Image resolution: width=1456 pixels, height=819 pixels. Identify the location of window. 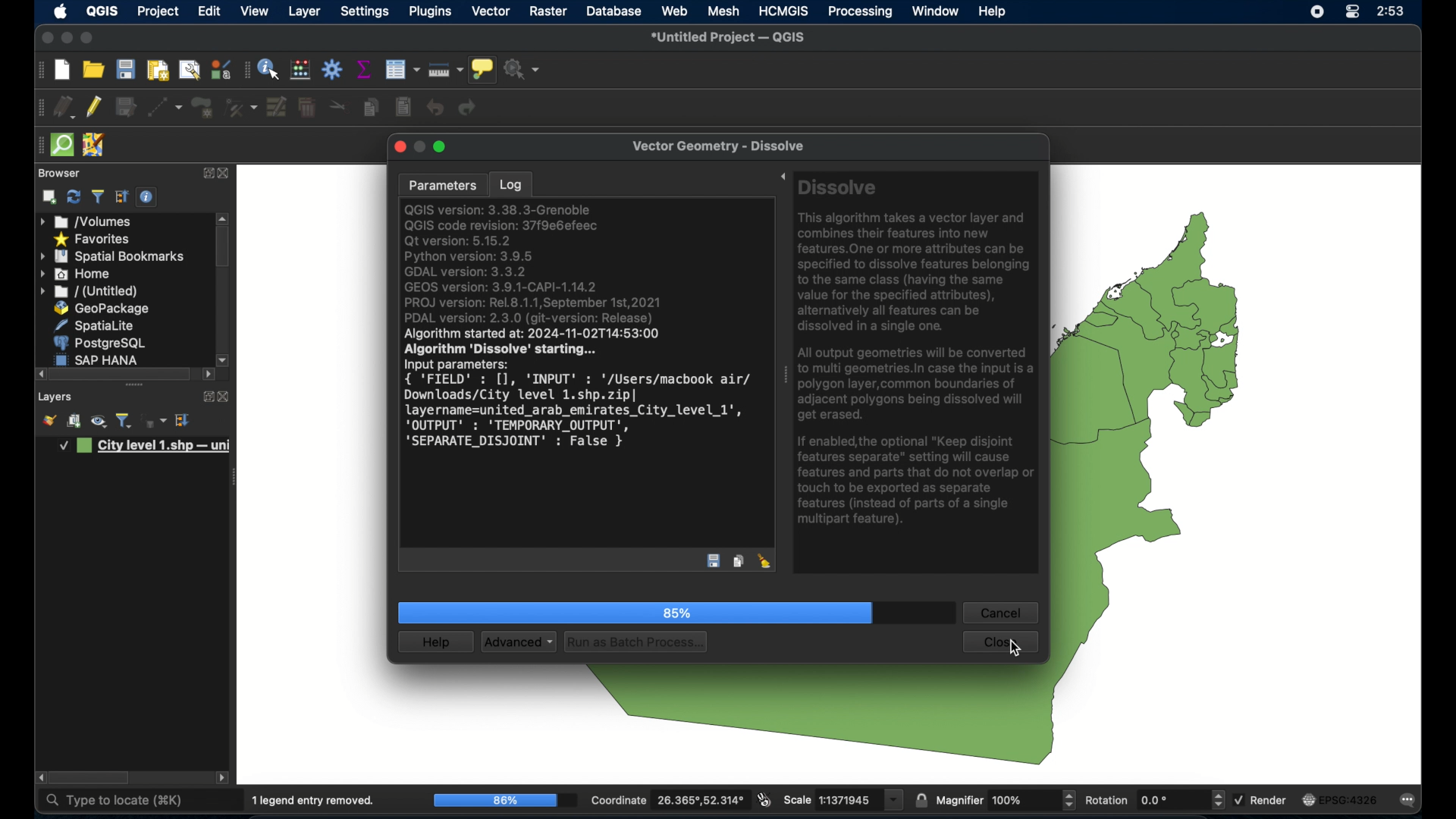
(935, 11).